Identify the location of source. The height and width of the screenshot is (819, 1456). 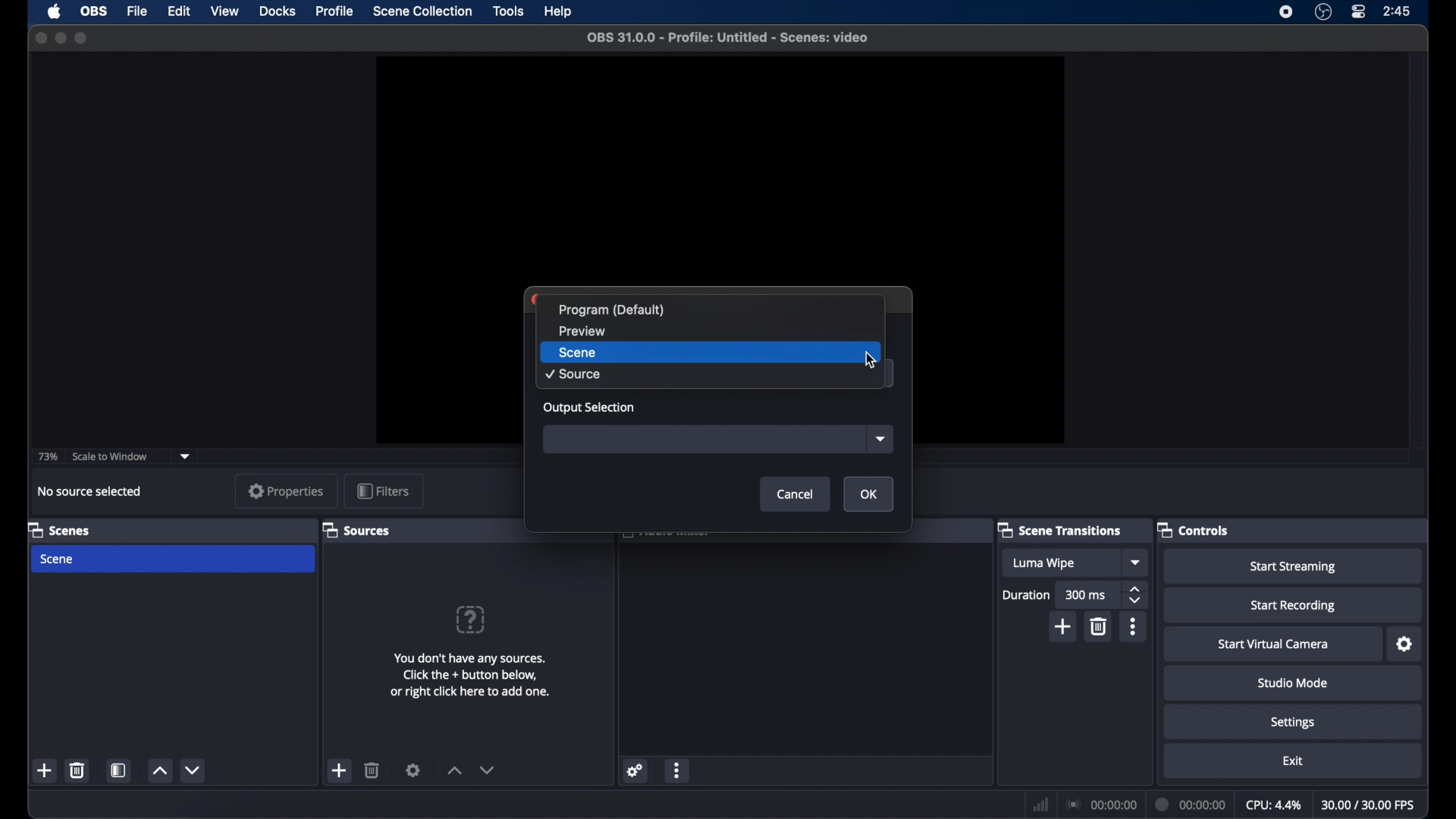
(708, 375).